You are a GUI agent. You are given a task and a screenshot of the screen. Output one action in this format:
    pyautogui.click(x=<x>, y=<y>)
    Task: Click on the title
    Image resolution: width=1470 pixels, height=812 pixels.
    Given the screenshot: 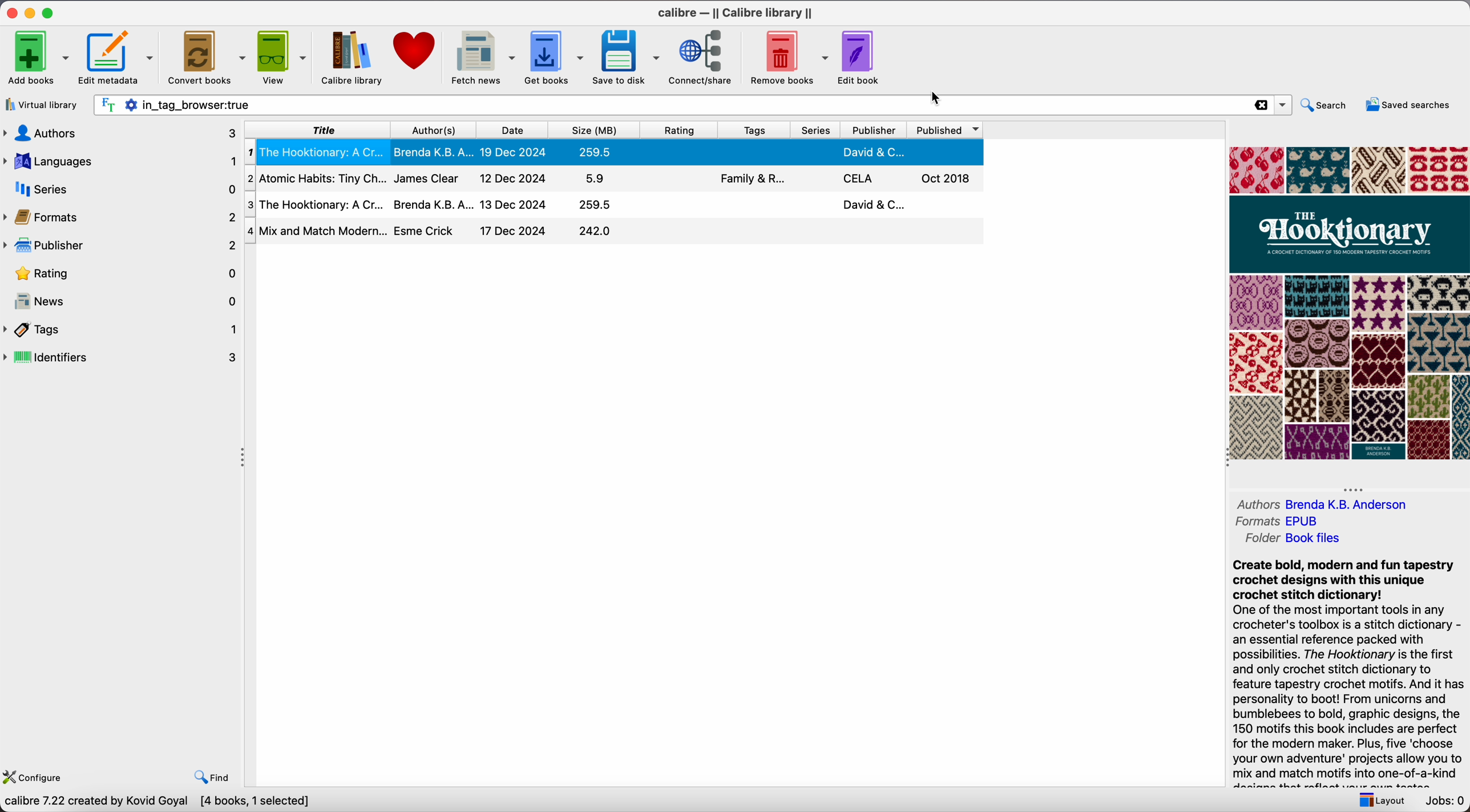 What is the action you would take?
    pyautogui.click(x=320, y=128)
    